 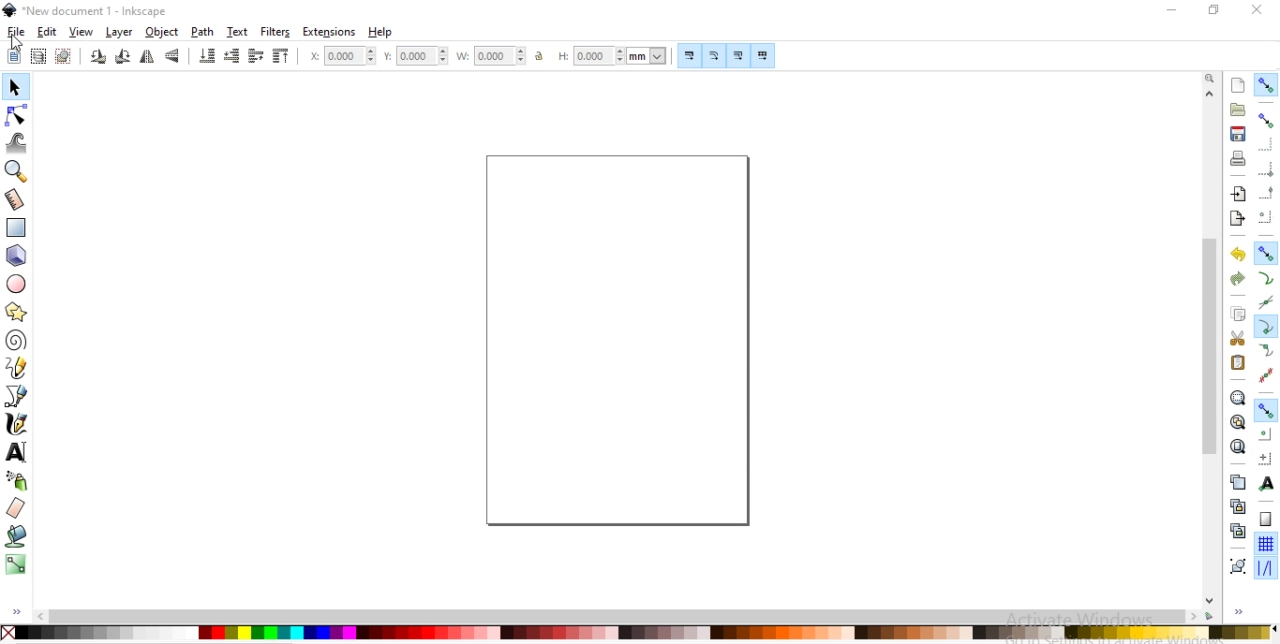 I want to click on snap text anchors and baselines, so click(x=1264, y=483).